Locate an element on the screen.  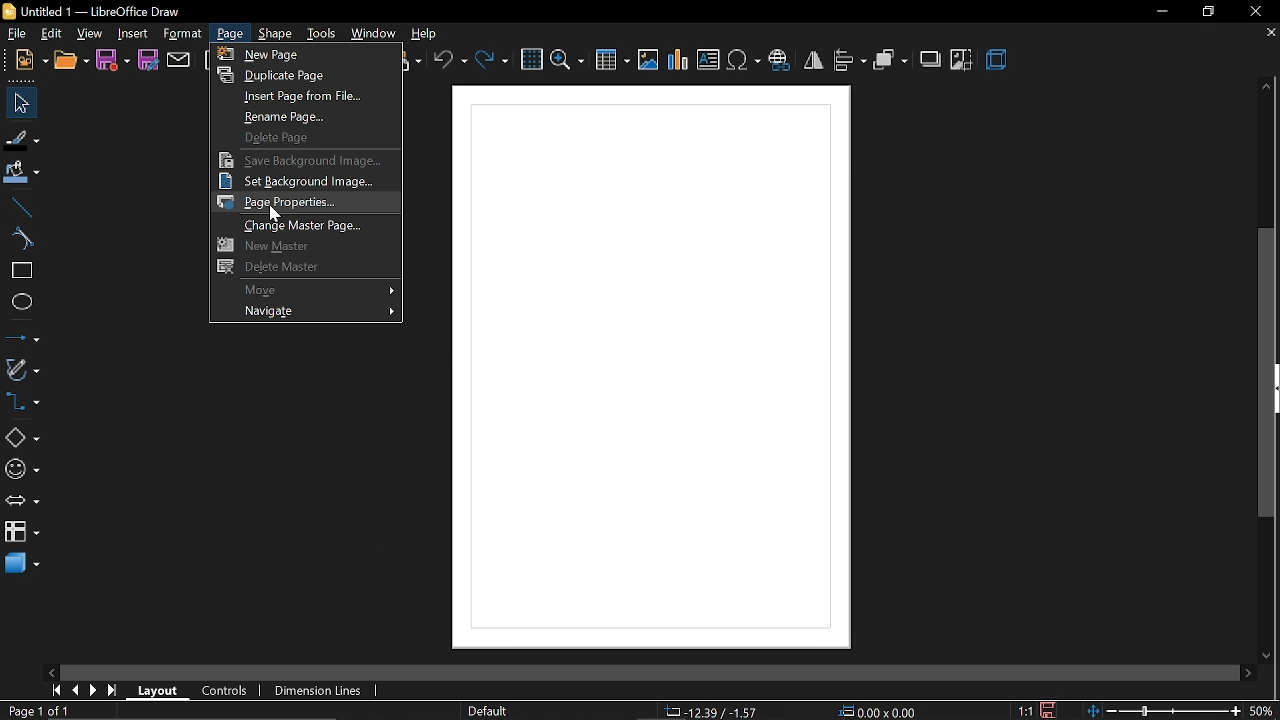
close is located at coordinates (1257, 14).